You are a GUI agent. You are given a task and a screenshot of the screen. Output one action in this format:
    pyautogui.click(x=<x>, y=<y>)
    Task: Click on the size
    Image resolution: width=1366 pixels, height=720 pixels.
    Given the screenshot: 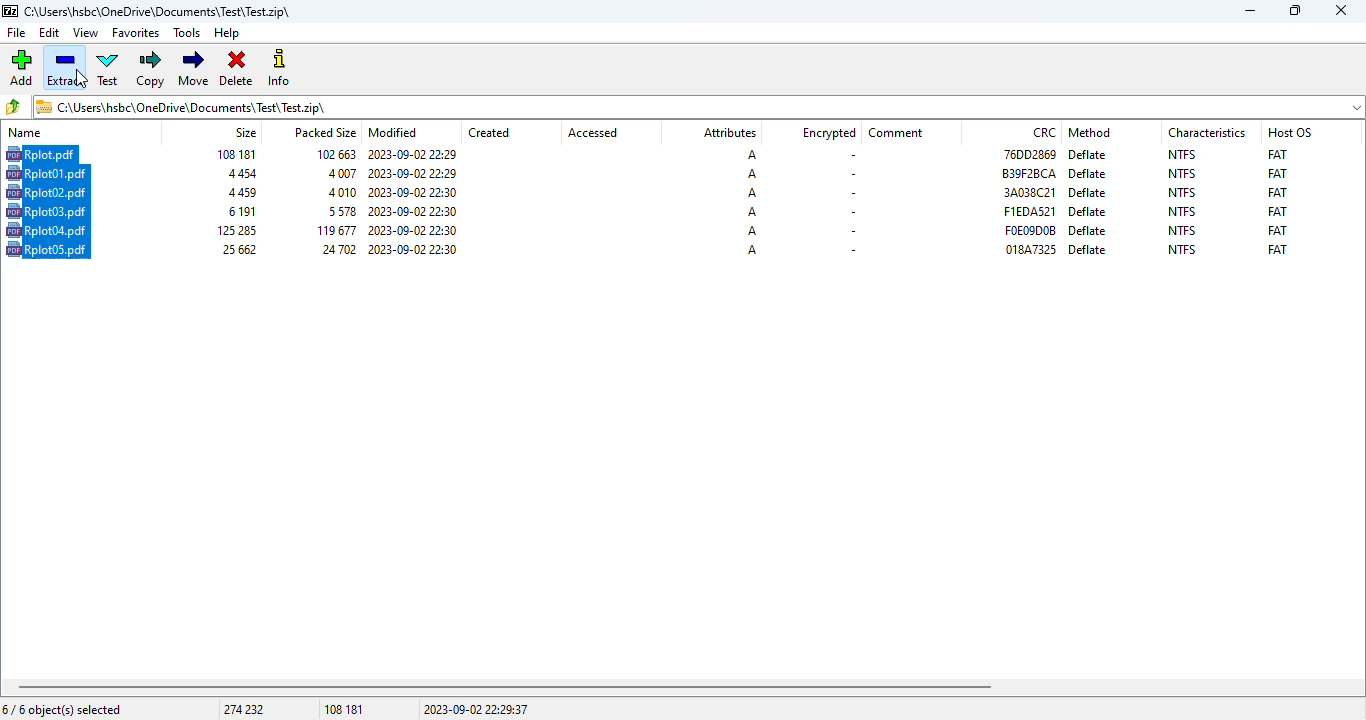 What is the action you would take?
    pyautogui.click(x=234, y=230)
    